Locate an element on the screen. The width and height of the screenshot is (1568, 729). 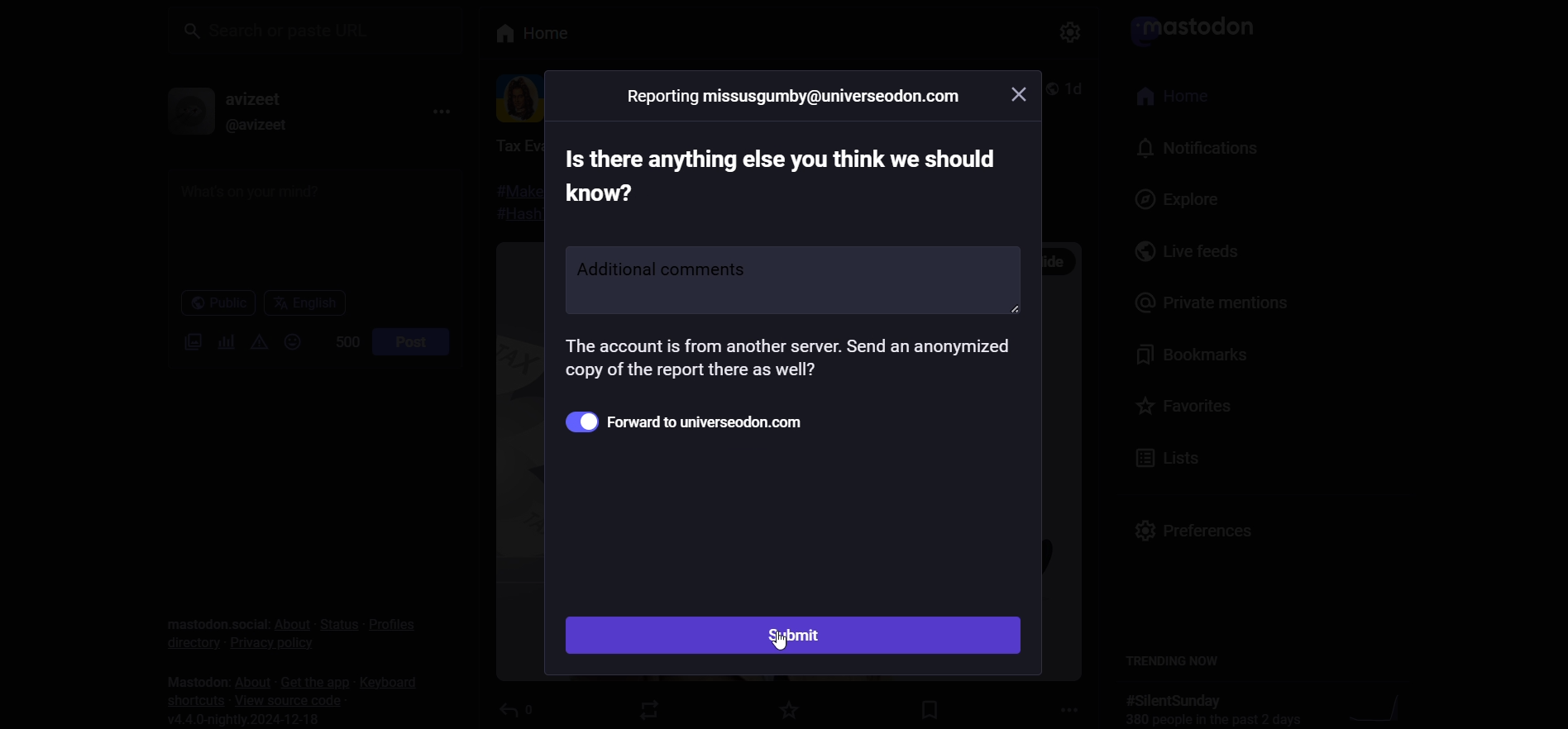
forward is located at coordinates (704, 421).